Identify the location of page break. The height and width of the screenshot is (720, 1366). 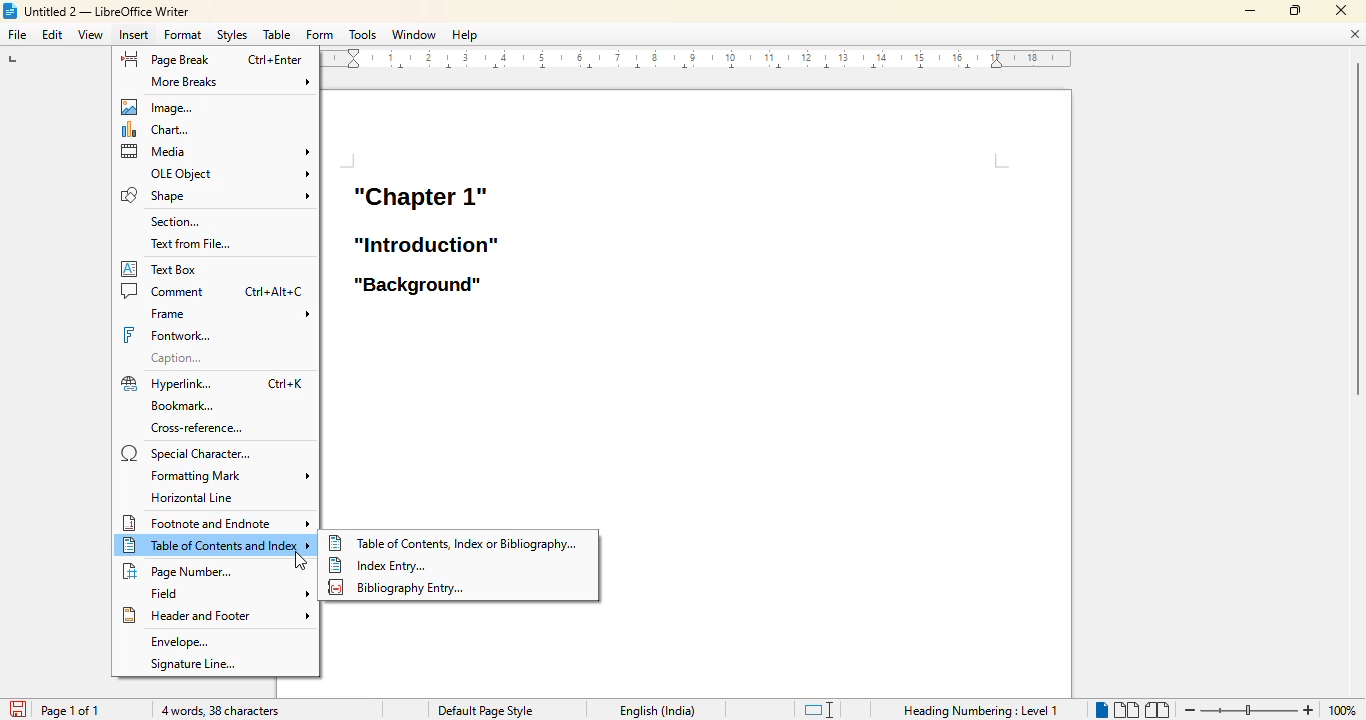
(165, 59).